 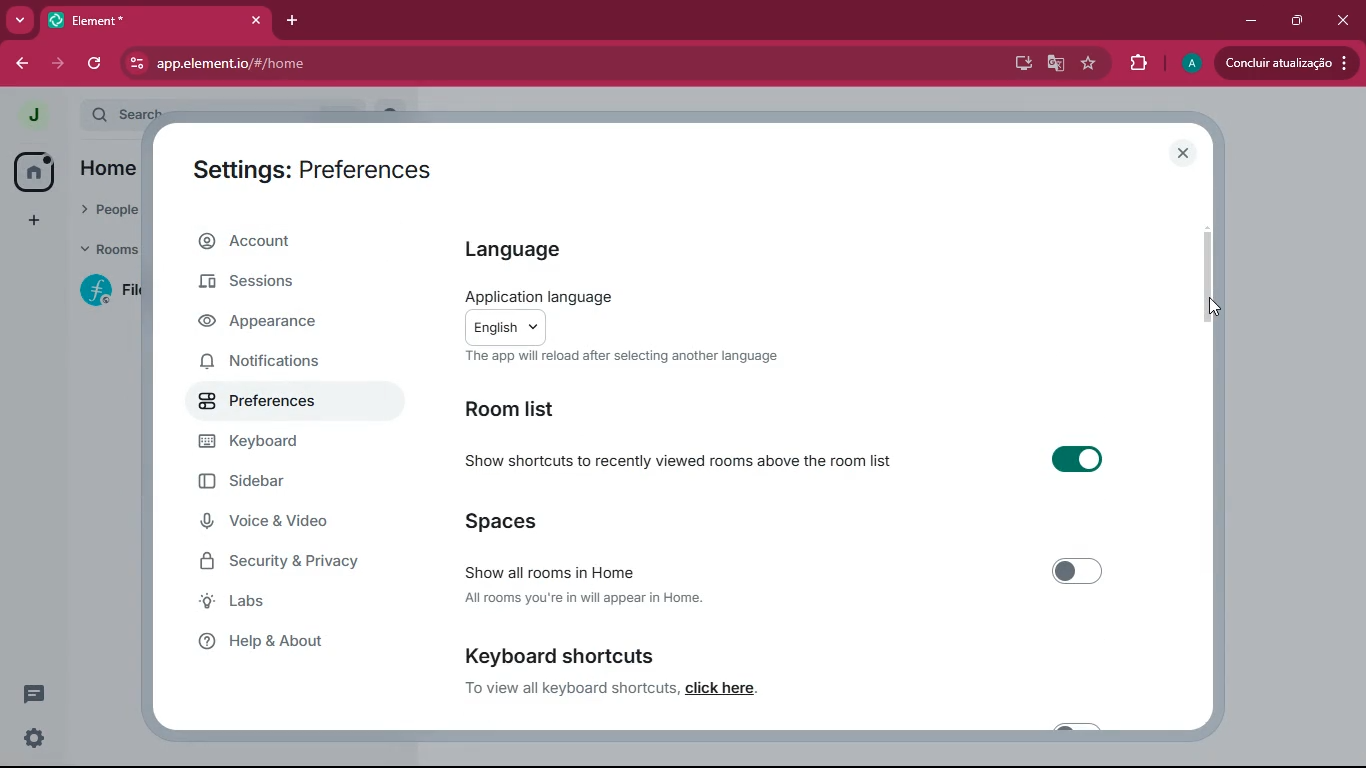 What do you see at coordinates (310, 166) in the screenshot?
I see `settings: preferences` at bounding box center [310, 166].